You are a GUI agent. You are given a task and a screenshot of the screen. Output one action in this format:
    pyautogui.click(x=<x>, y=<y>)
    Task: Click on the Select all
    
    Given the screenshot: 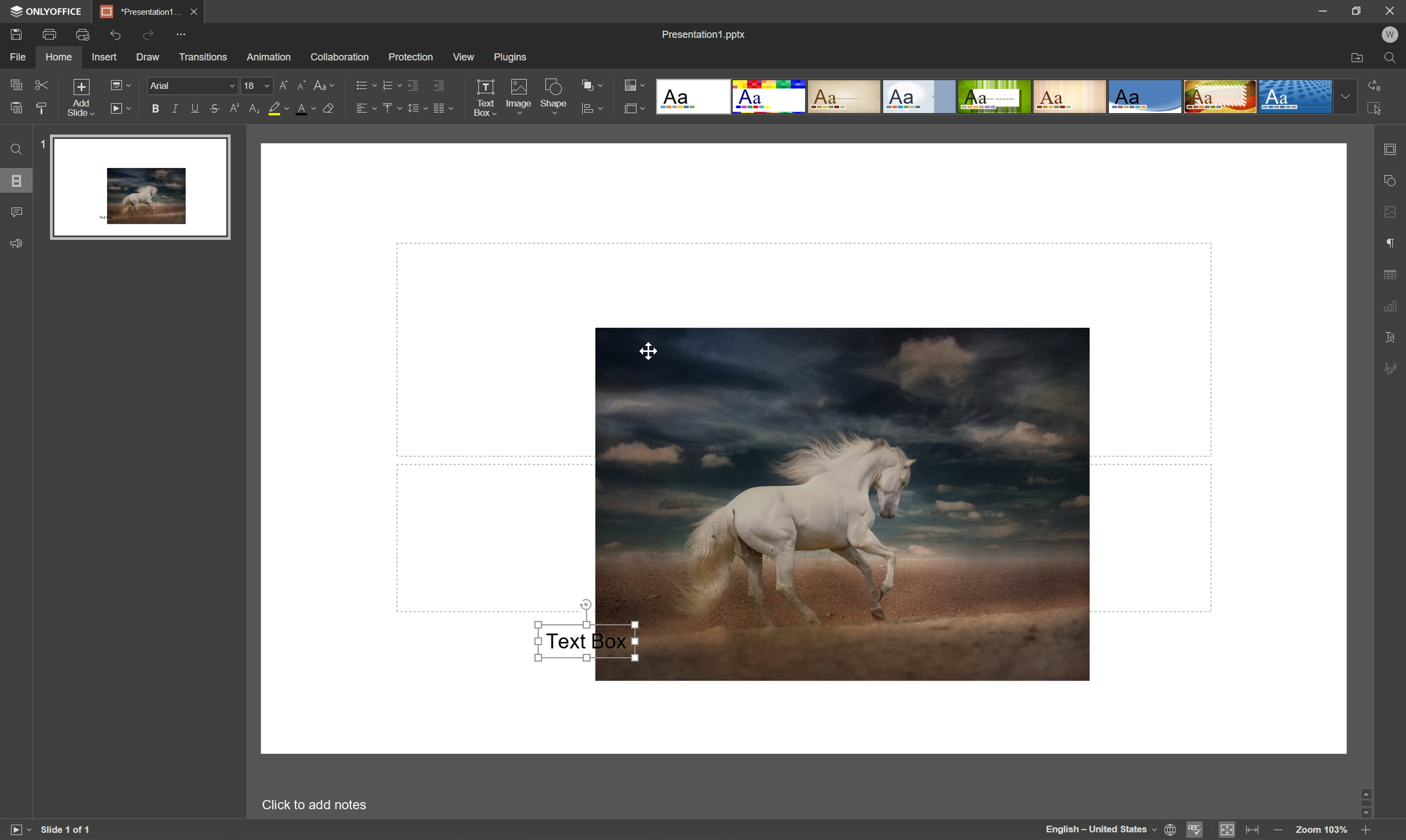 What is the action you would take?
    pyautogui.click(x=1376, y=106)
    